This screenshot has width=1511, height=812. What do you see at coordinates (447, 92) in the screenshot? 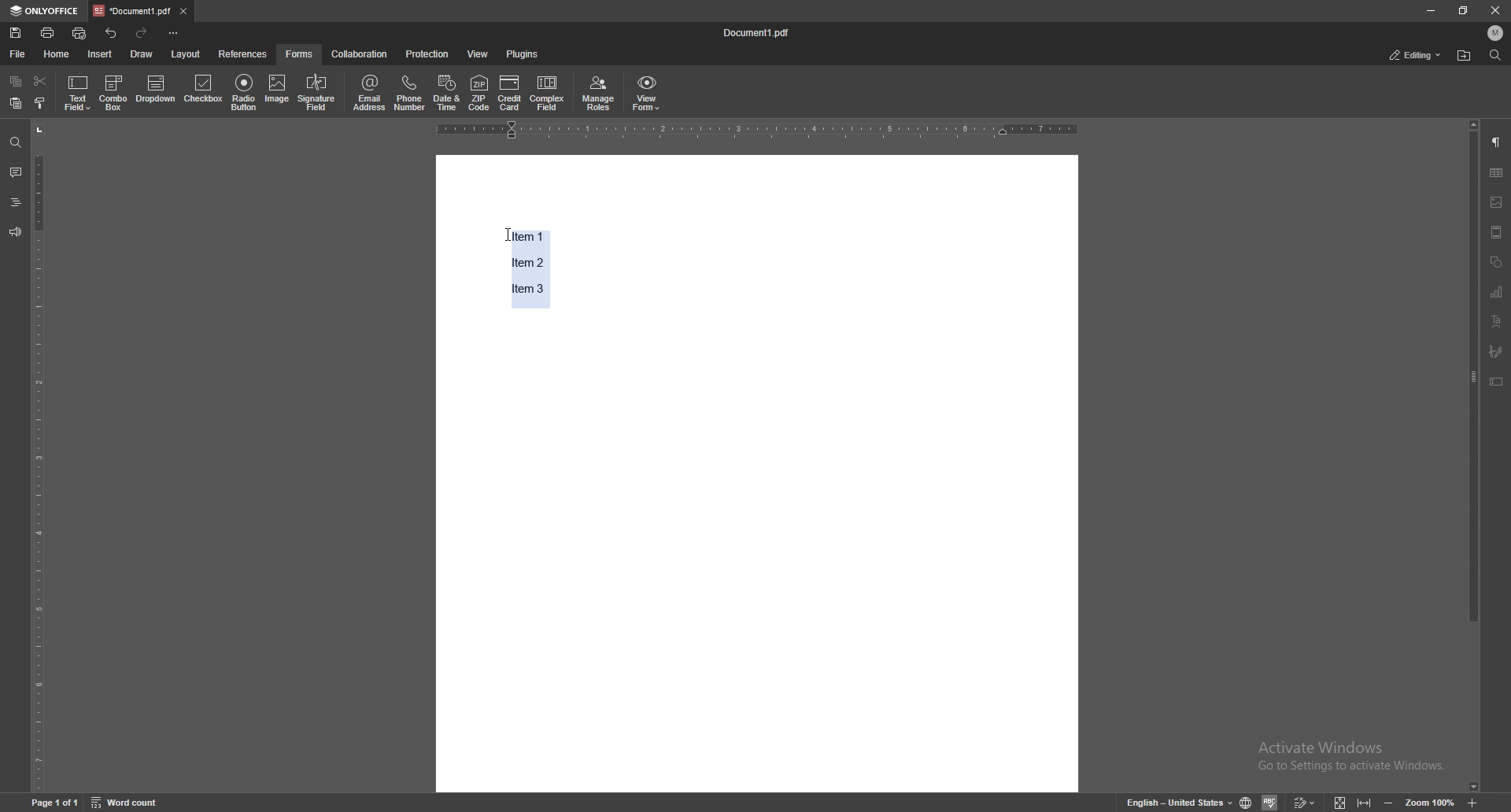
I see `date and time` at bounding box center [447, 92].